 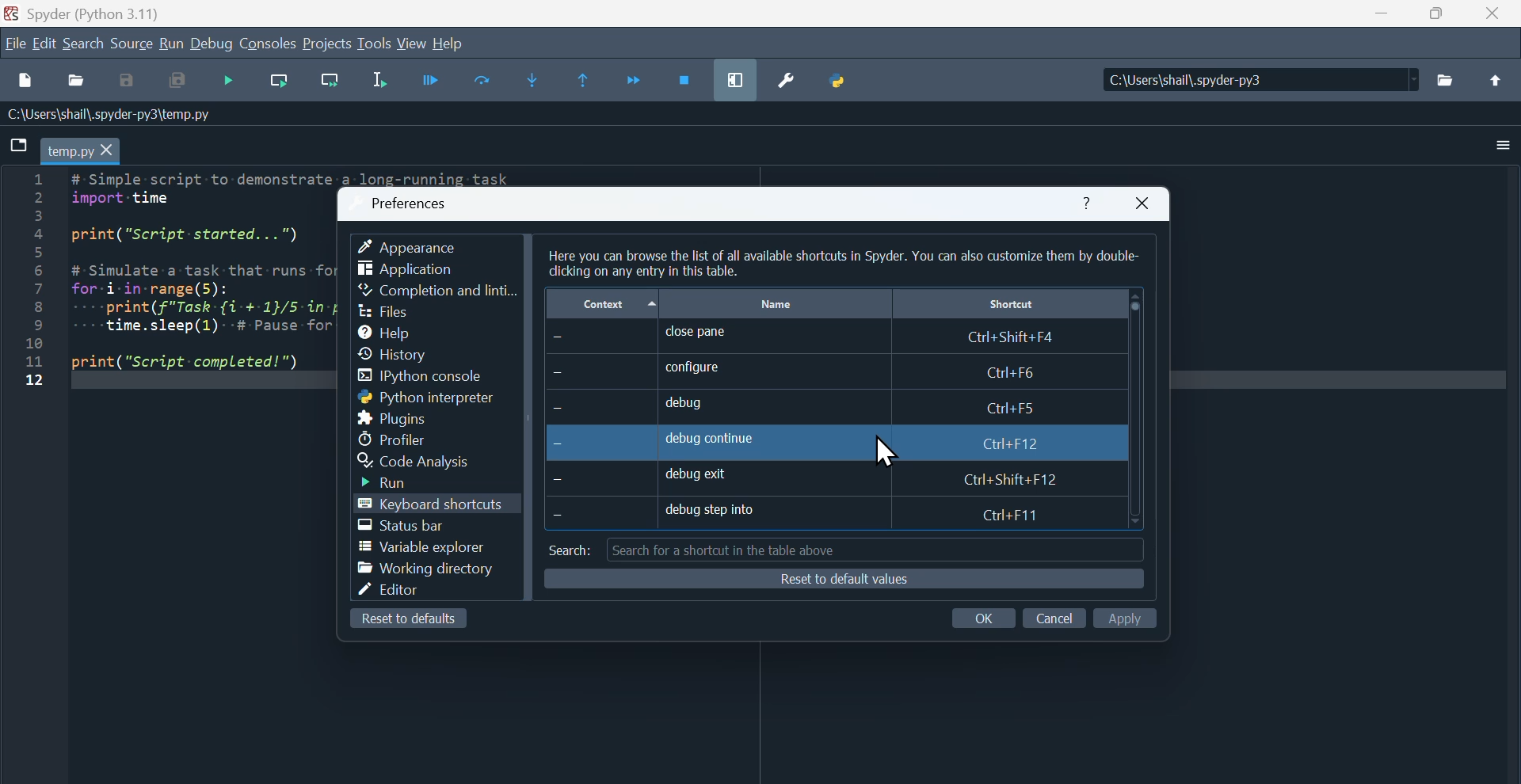 What do you see at coordinates (583, 80) in the screenshot?
I see `Execute until same function returns` at bounding box center [583, 80].